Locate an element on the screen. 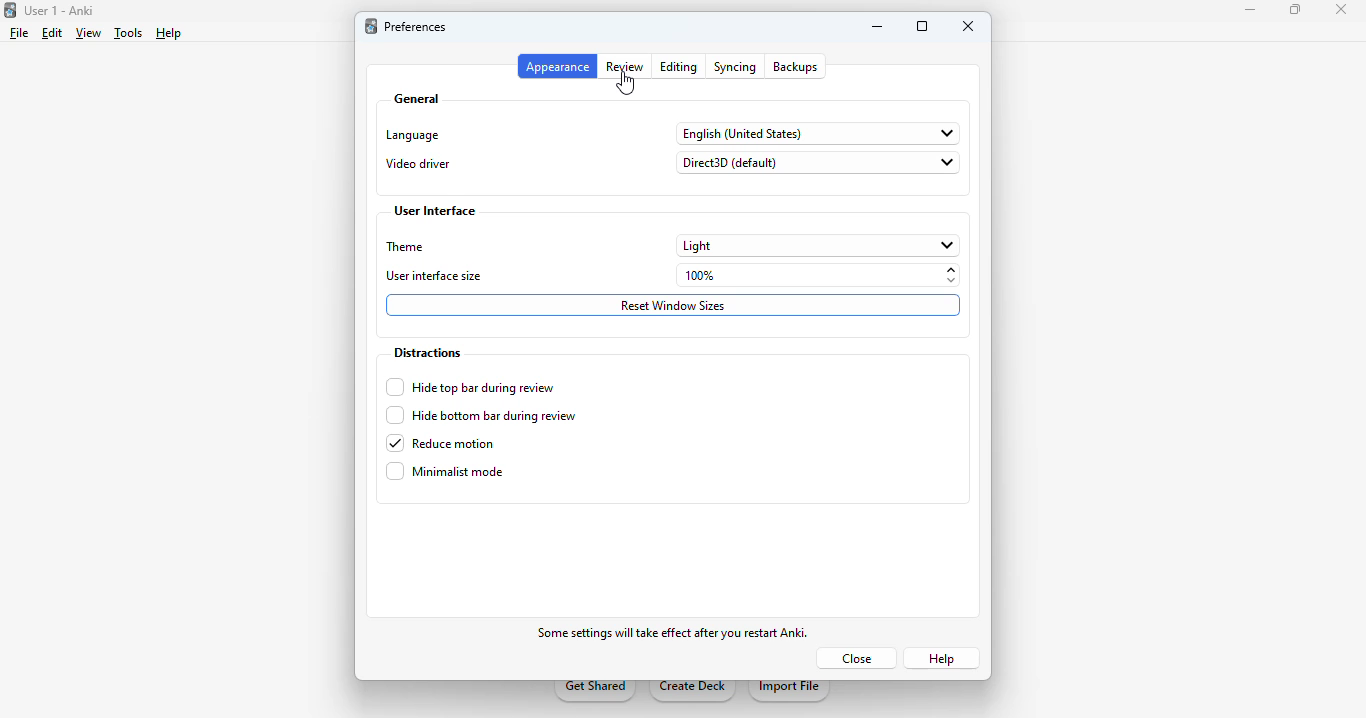  minimize is located at coordinates (877, 26).